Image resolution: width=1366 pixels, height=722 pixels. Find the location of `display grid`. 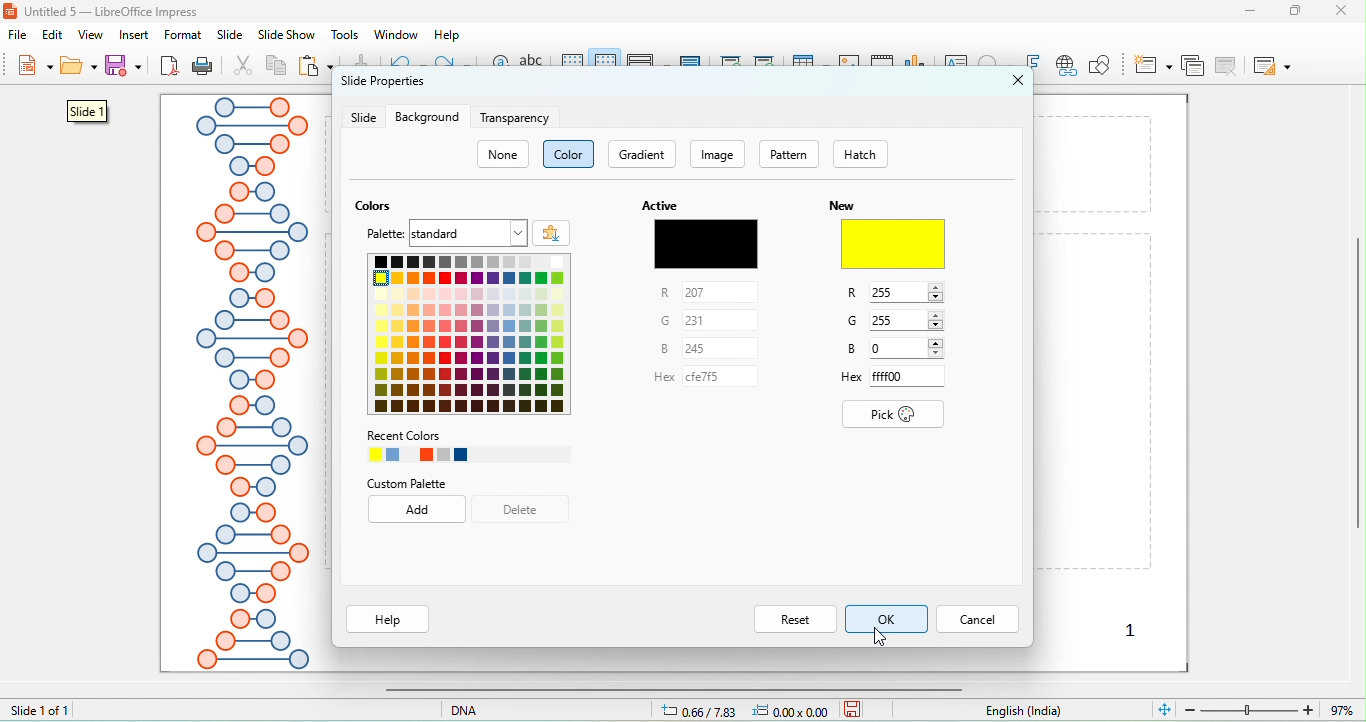

display grid is located at coordinates (573, 64).